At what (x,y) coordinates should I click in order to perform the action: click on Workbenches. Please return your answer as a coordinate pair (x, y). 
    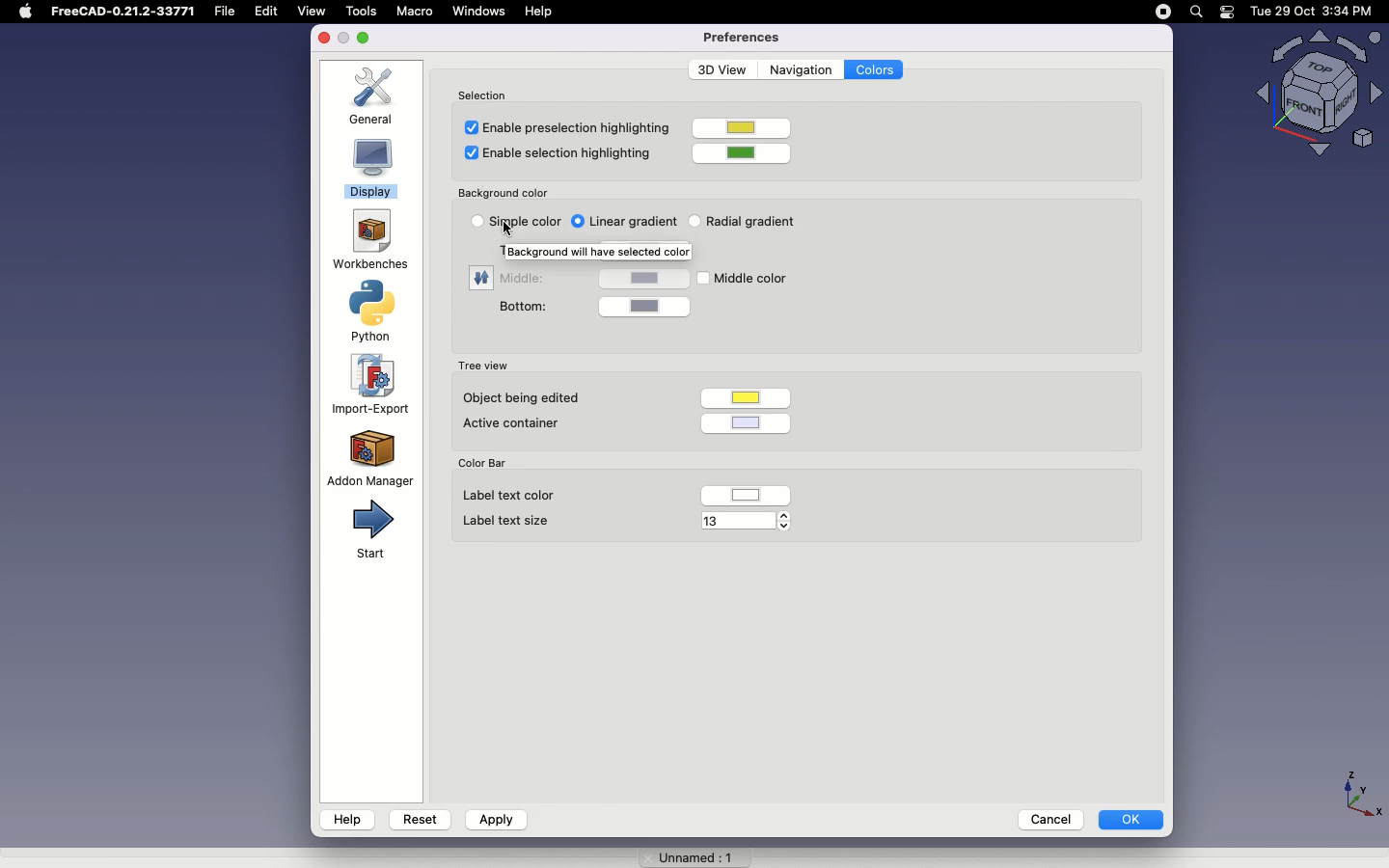
    Looking at the image, I should click on (368, 241).